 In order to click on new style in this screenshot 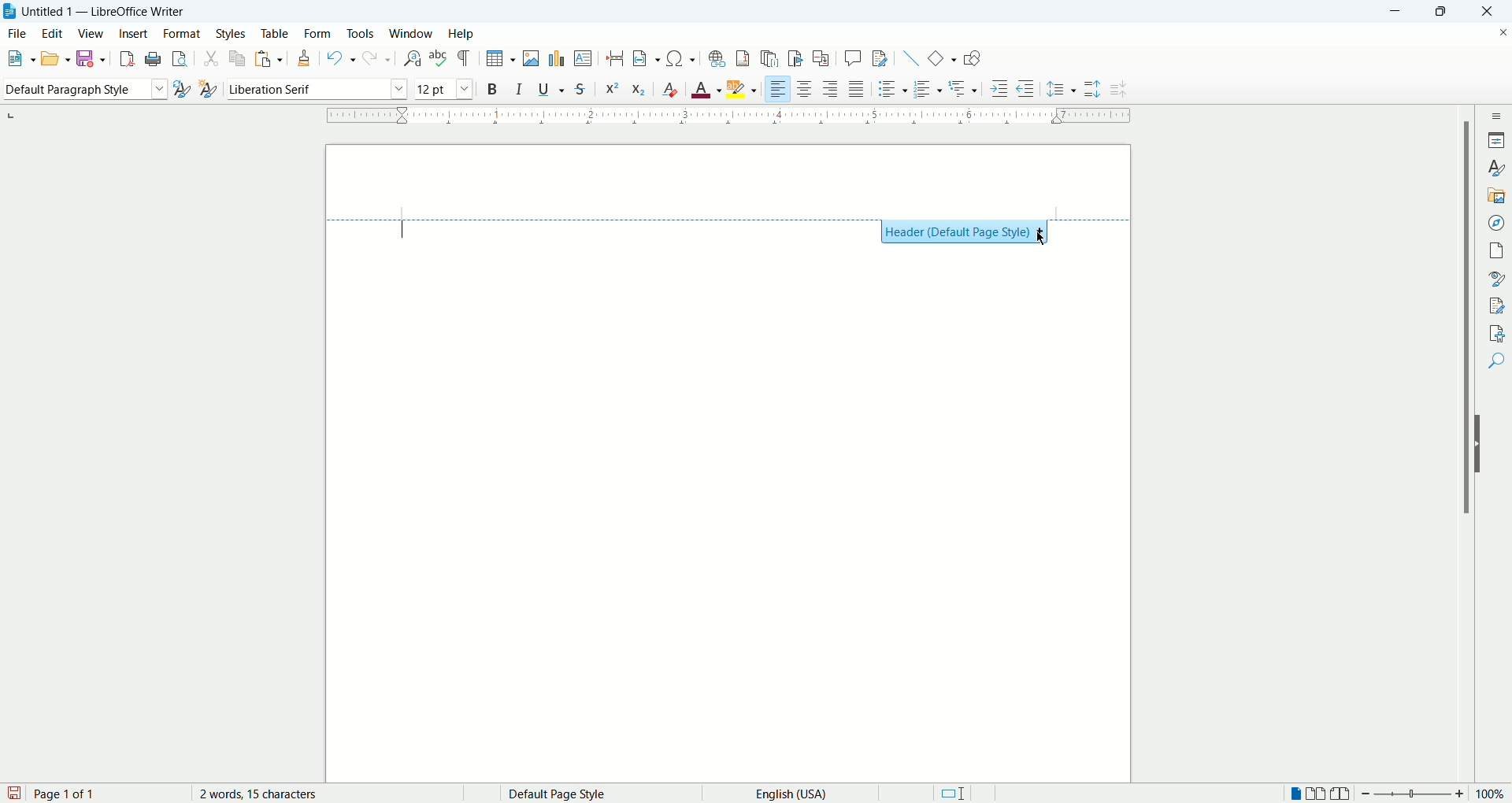, I will do `click(209, 91)`.